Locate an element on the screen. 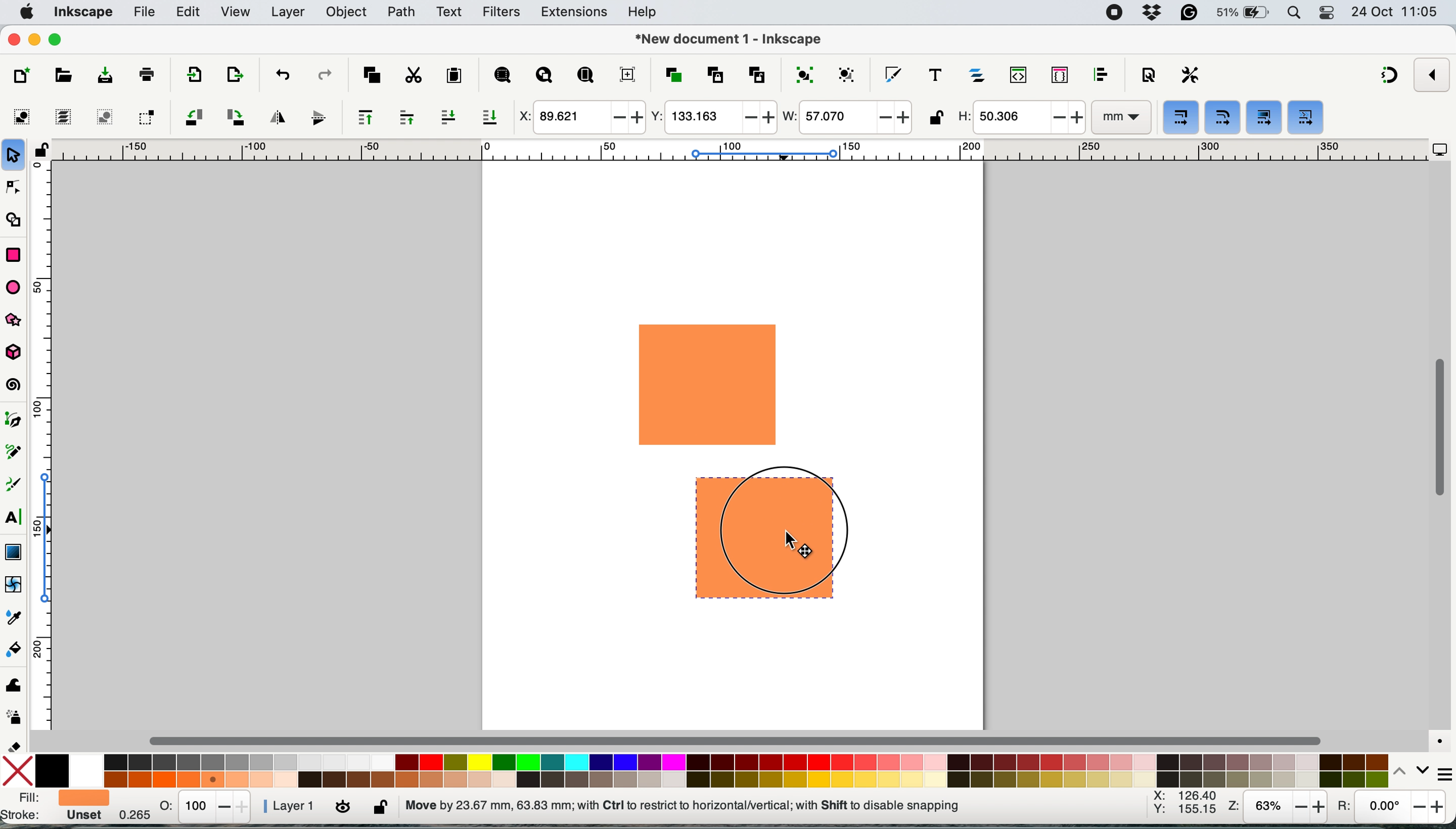 This screenshot has height=829, width=1456. align and distribute is located at coordinates (1101, 75).